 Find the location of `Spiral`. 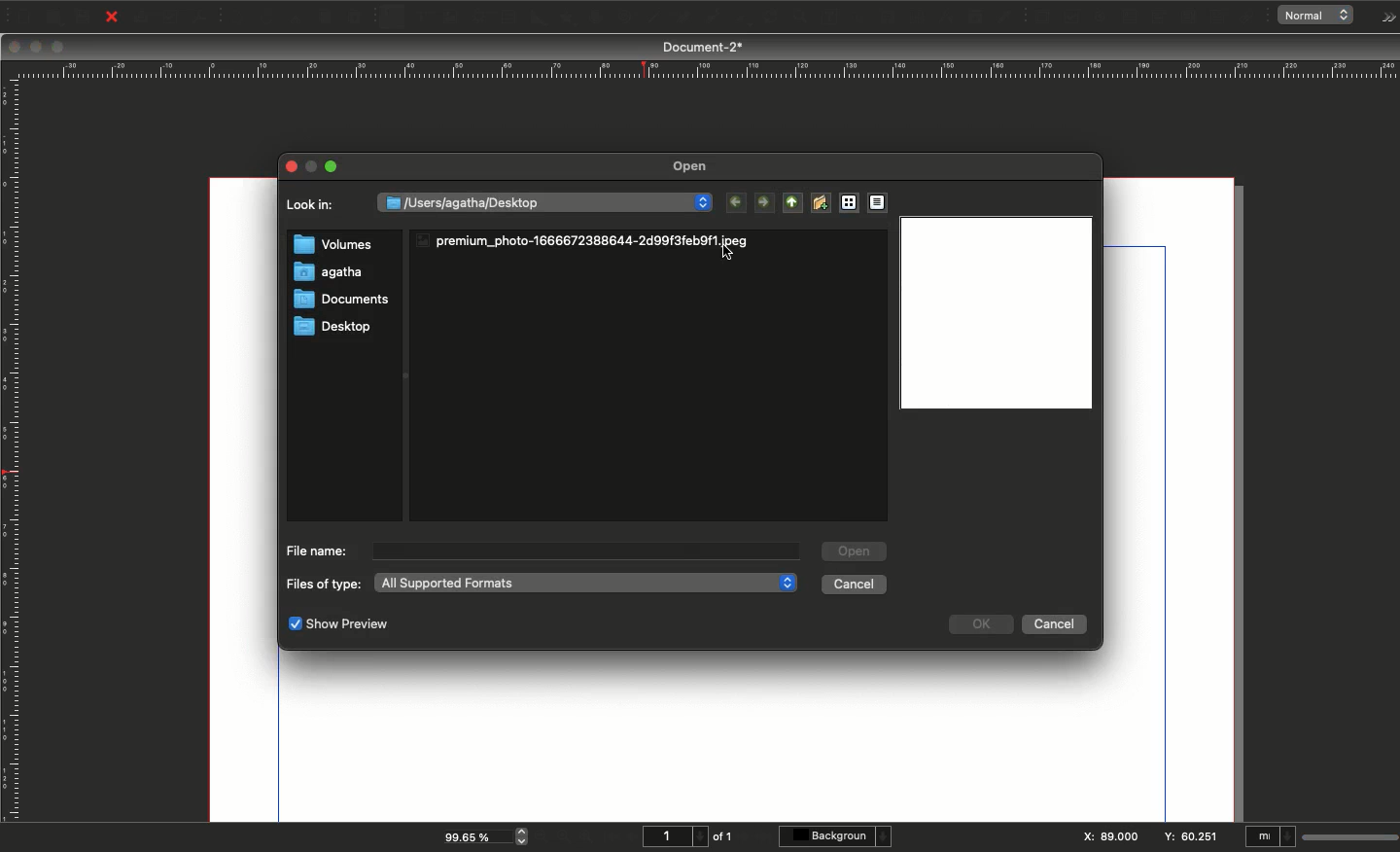

Spiral is located at coordinates (628, 19).